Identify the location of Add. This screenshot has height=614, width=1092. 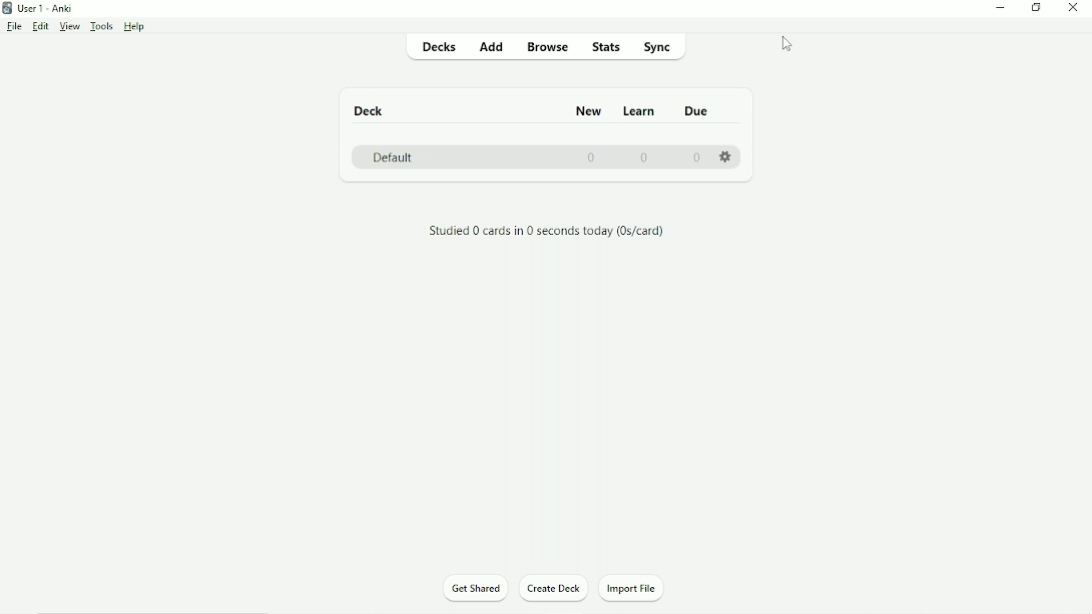
(491, 45).